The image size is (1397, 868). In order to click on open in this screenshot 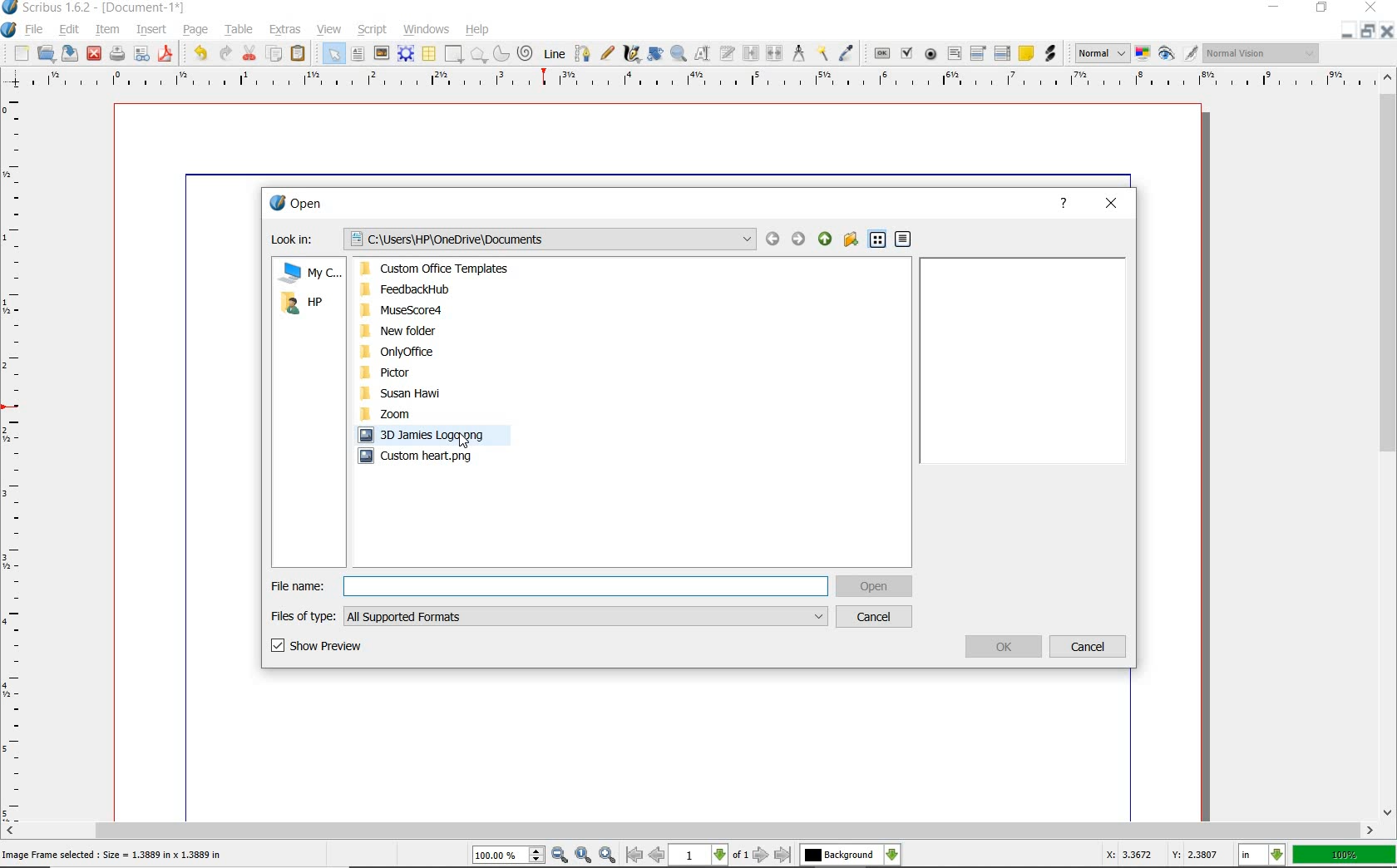, I will do `click(45, 52)`.